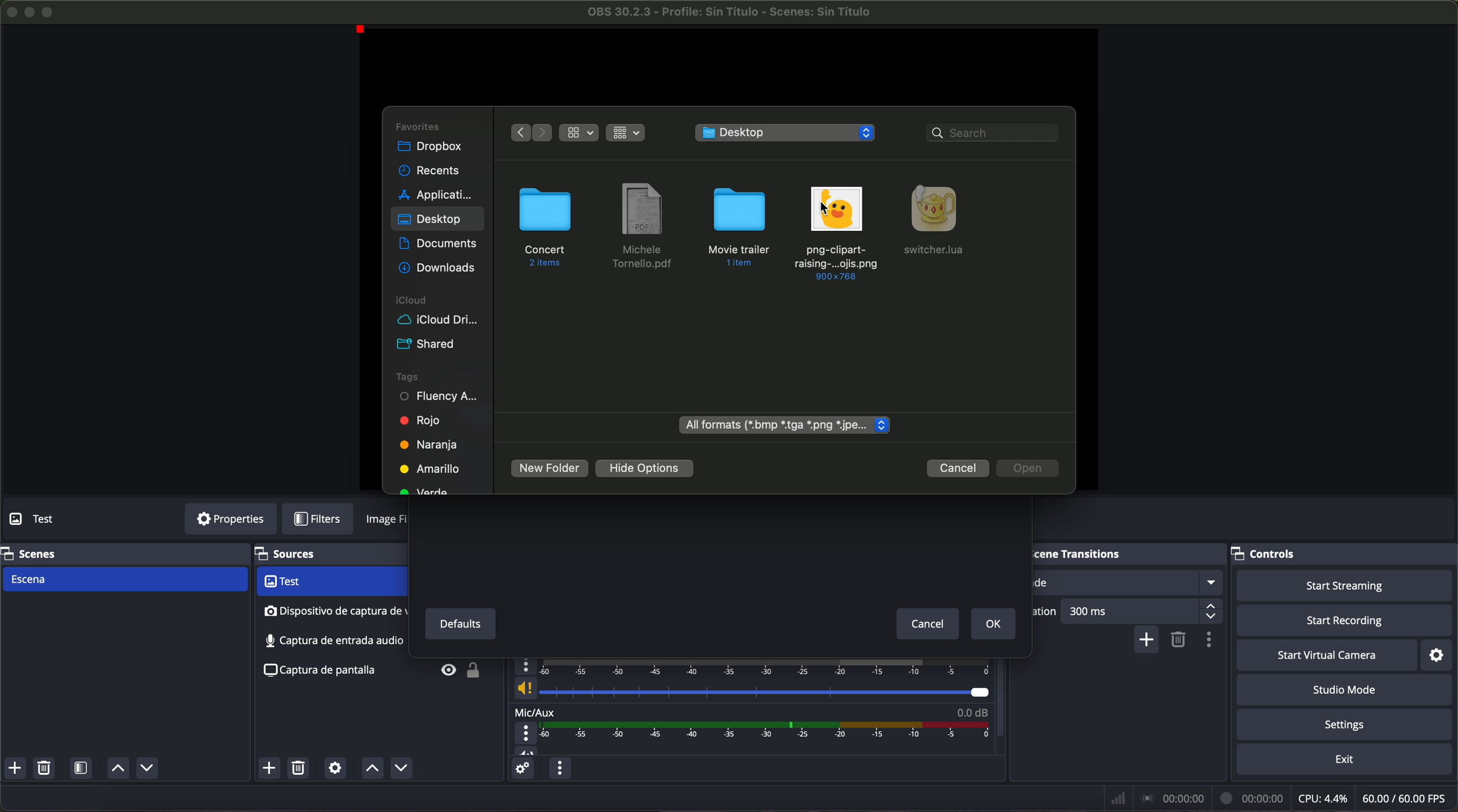 This screenshot has width=1458, height=812. Describe the element at coordinates (1001, 689) in the screenshot. I see `scroll down` at that location.